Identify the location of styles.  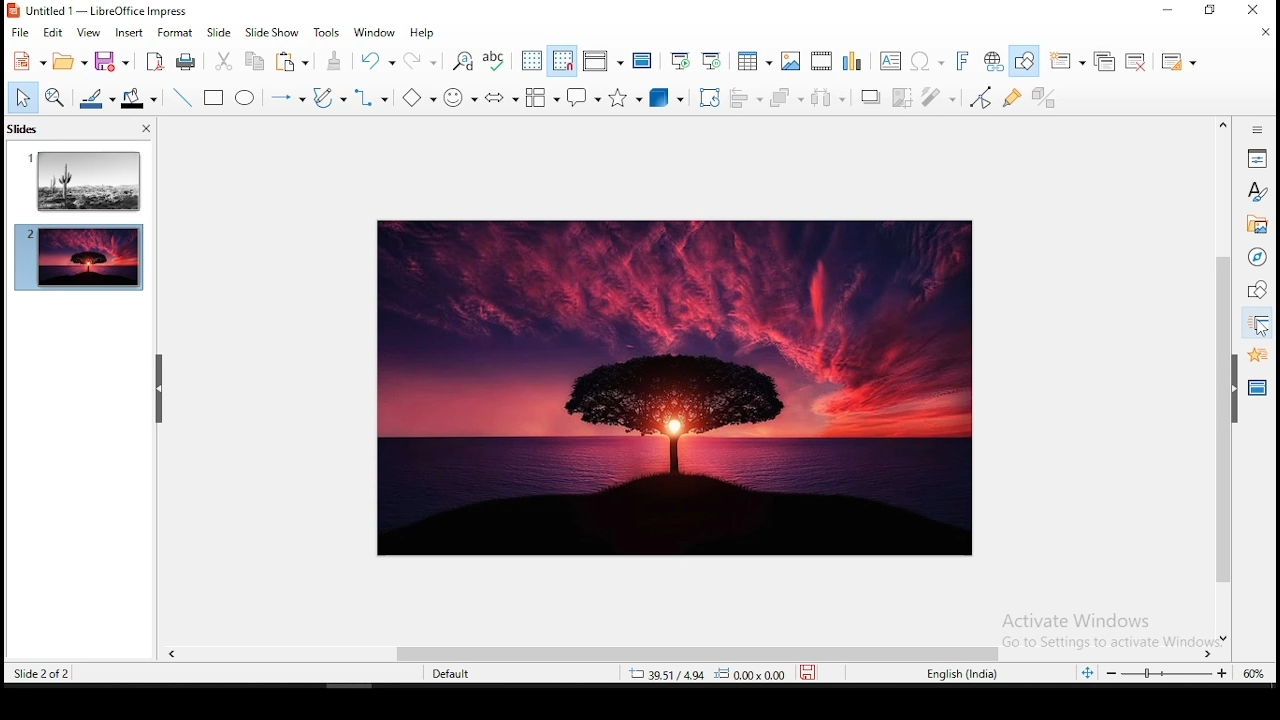
(1254, 194).